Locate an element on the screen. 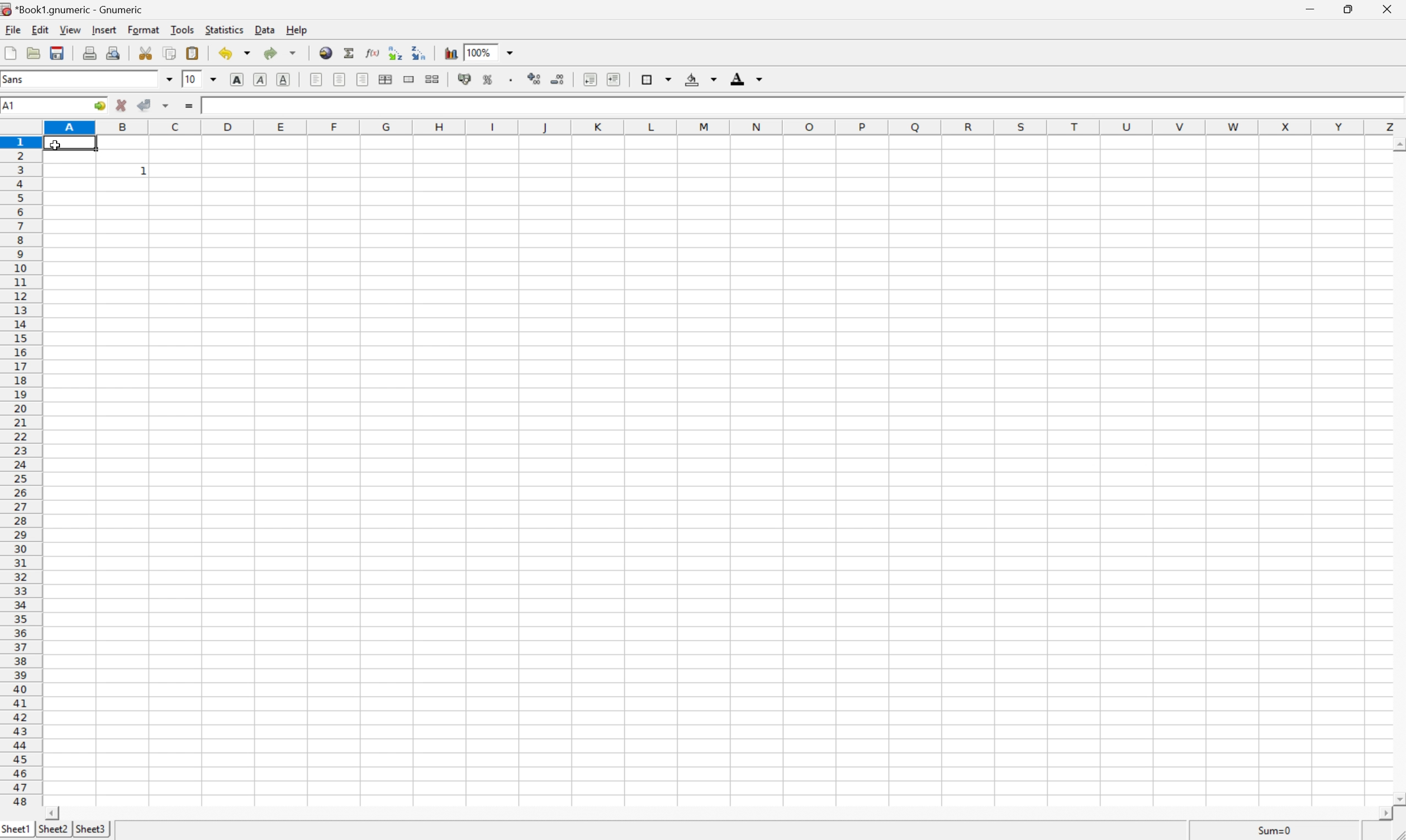  scroll right is located at coordinates (1385, 815).